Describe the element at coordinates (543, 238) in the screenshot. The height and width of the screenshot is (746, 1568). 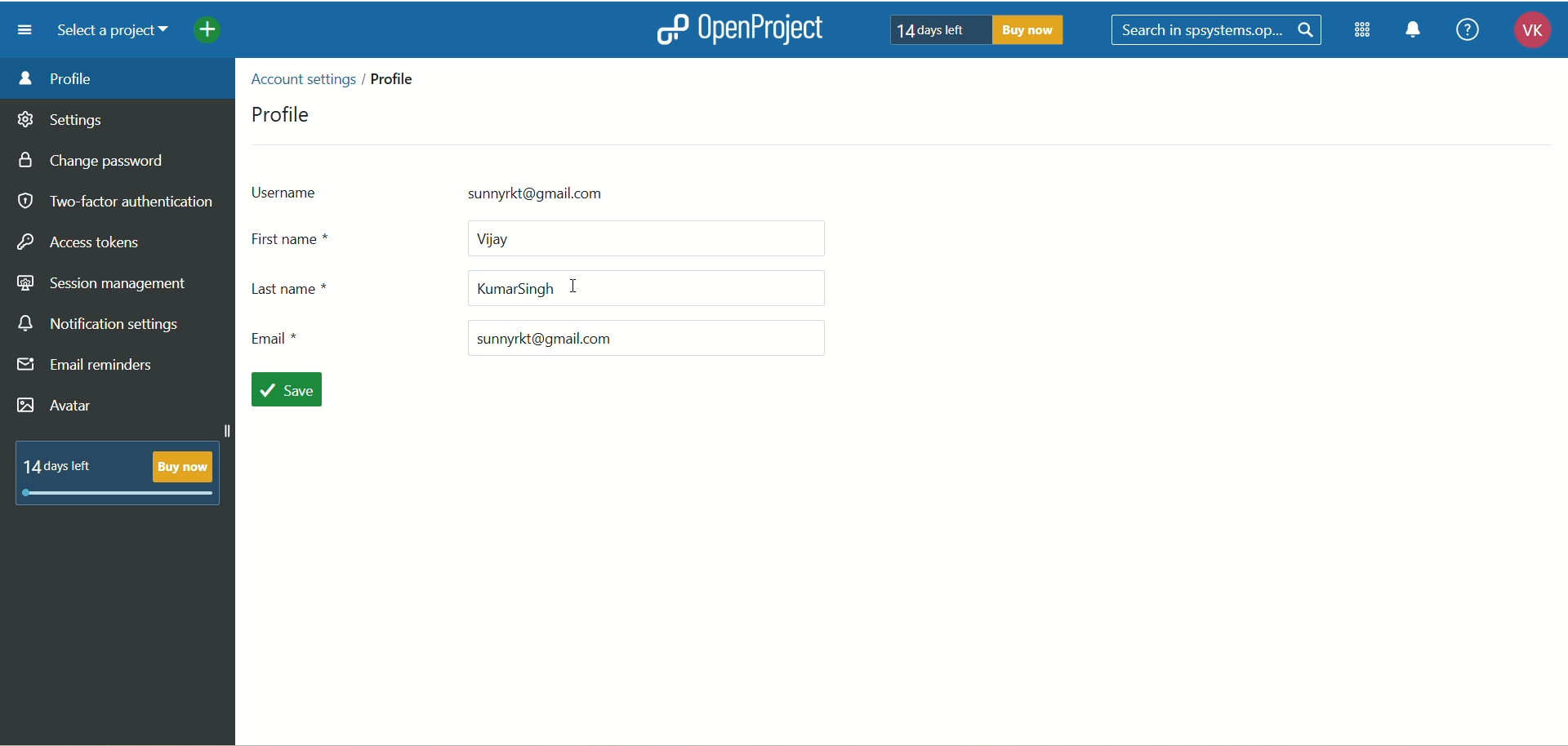
I see `first name` at that location.